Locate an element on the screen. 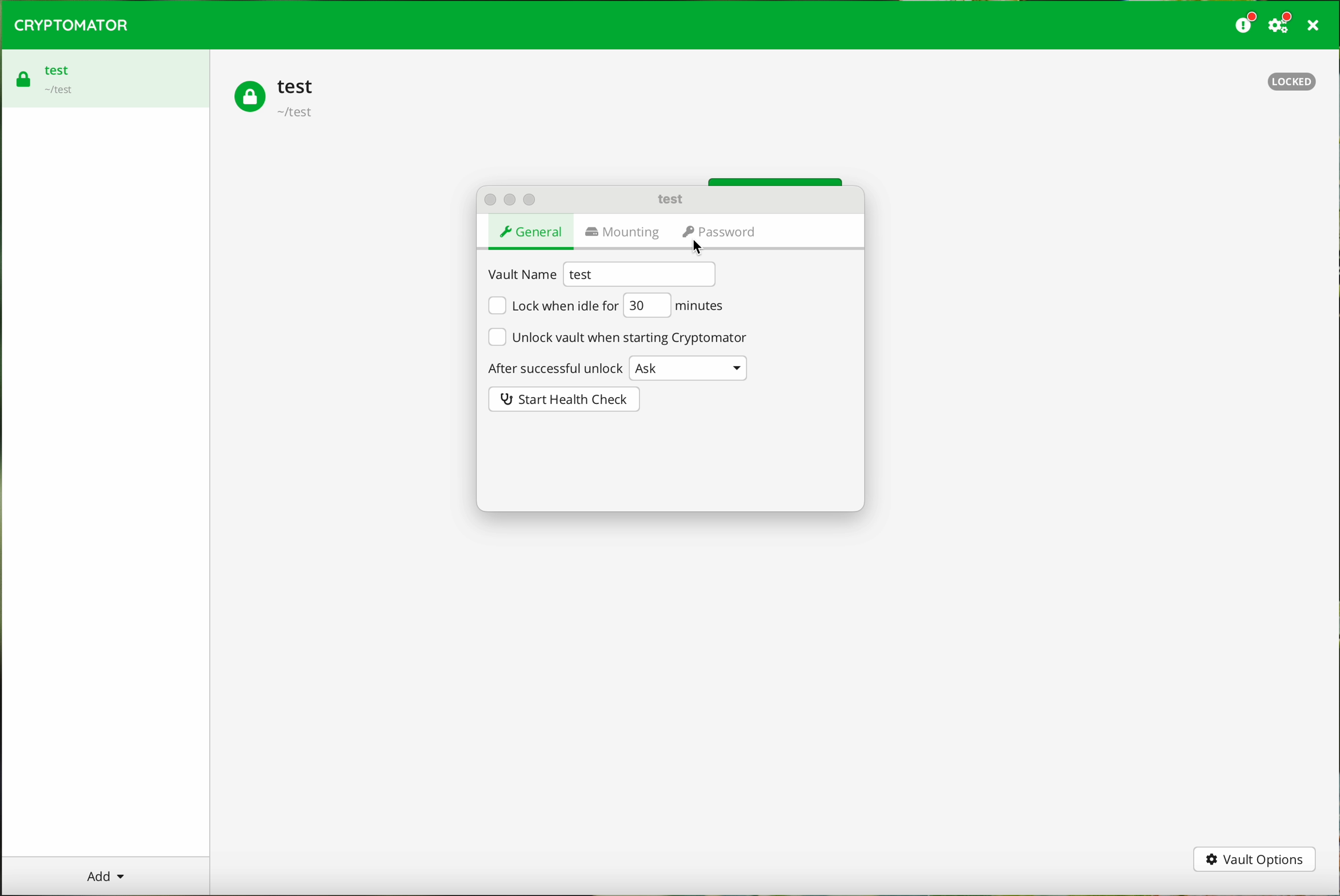 Image resolution: width=1340 pixels, height=896 pixels. password is located at coordinates (719, 234).